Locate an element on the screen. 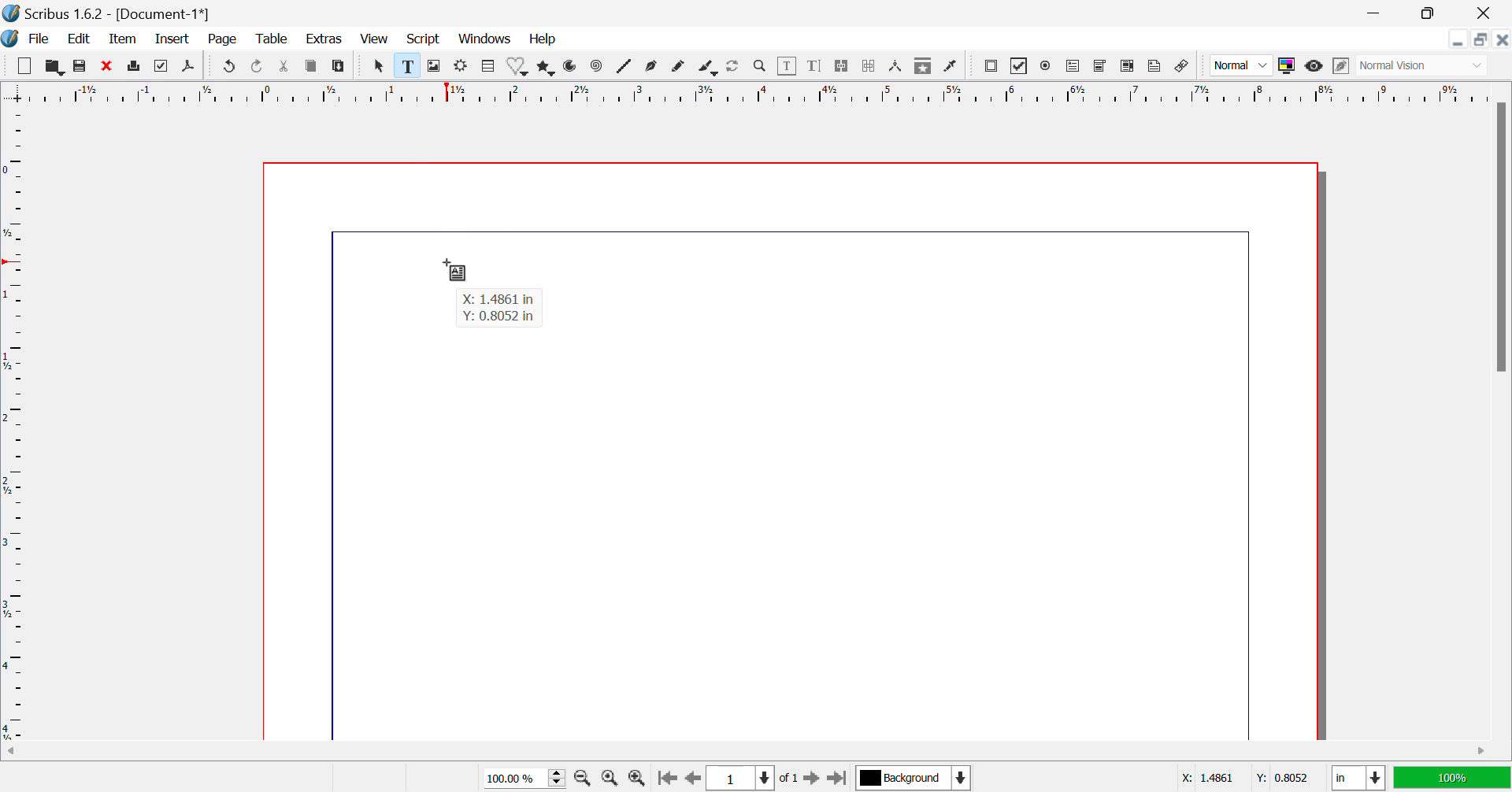 The image size is (1512, 792). Horizontal Scroll Bar is located at coordinates (736, 751).